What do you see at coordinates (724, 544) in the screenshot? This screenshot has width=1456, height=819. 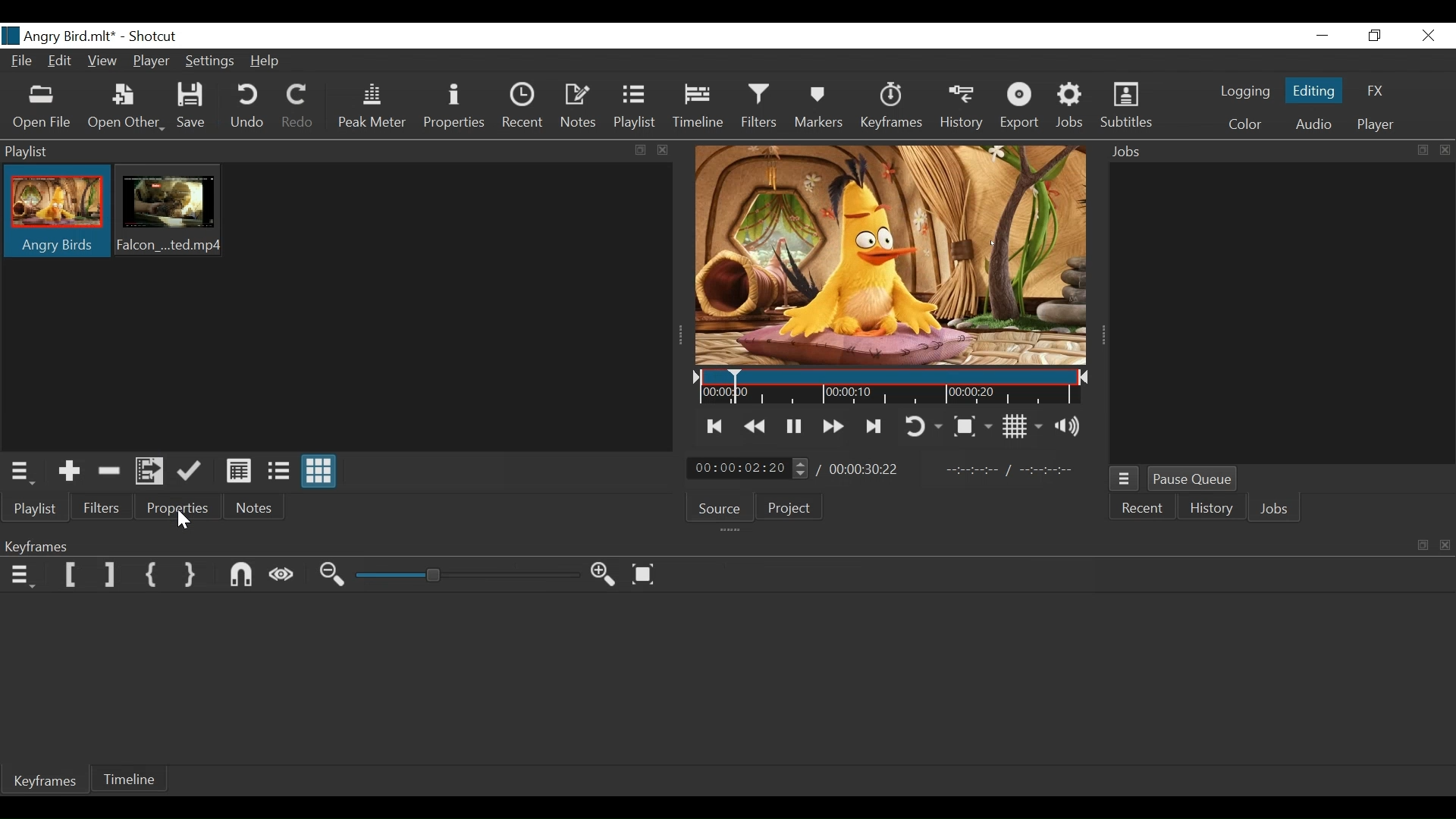 I see `Keyframe Panel` at bounding box center [724, 544].